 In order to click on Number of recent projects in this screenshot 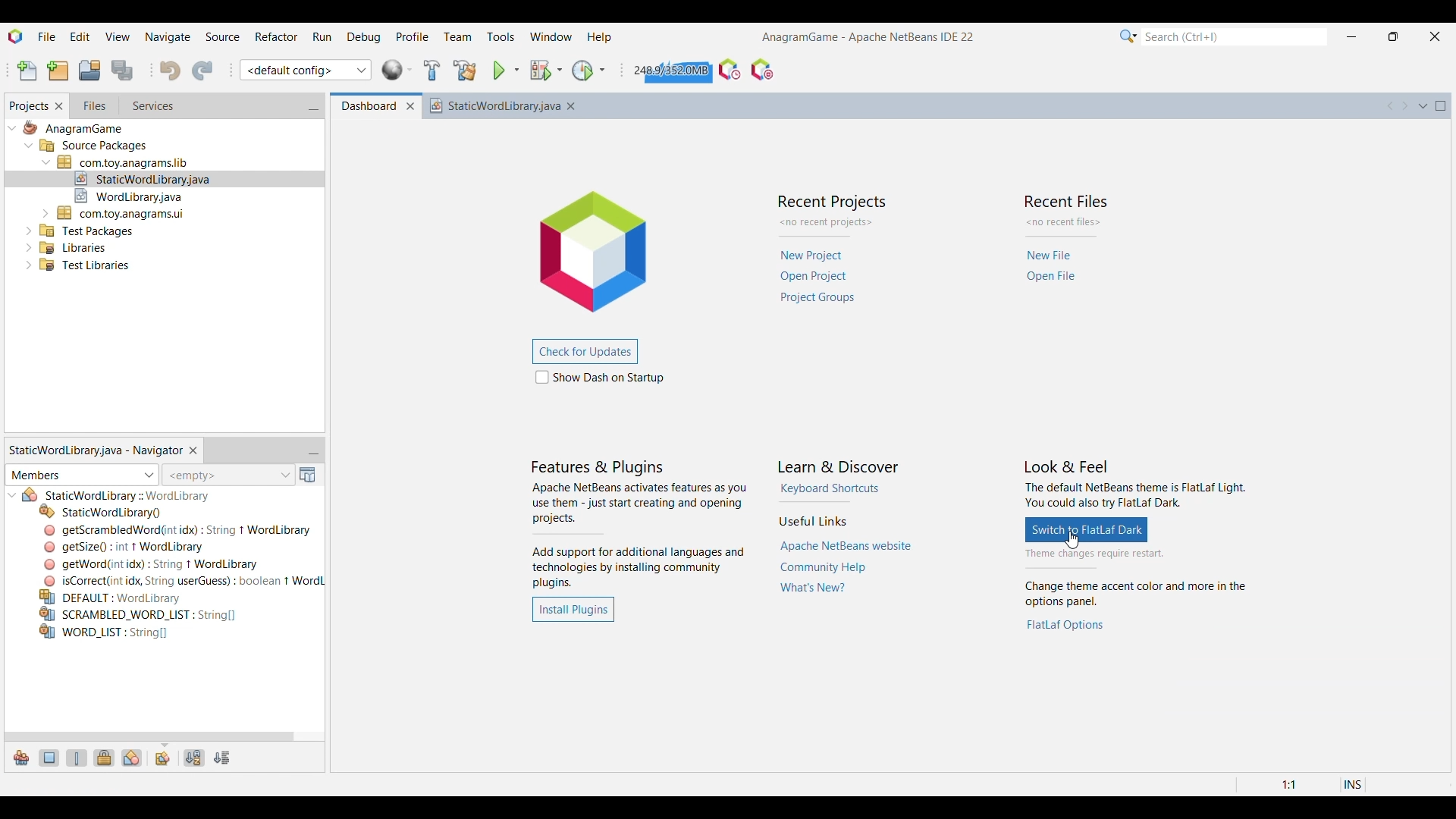, I will do `click(832, 223)`.